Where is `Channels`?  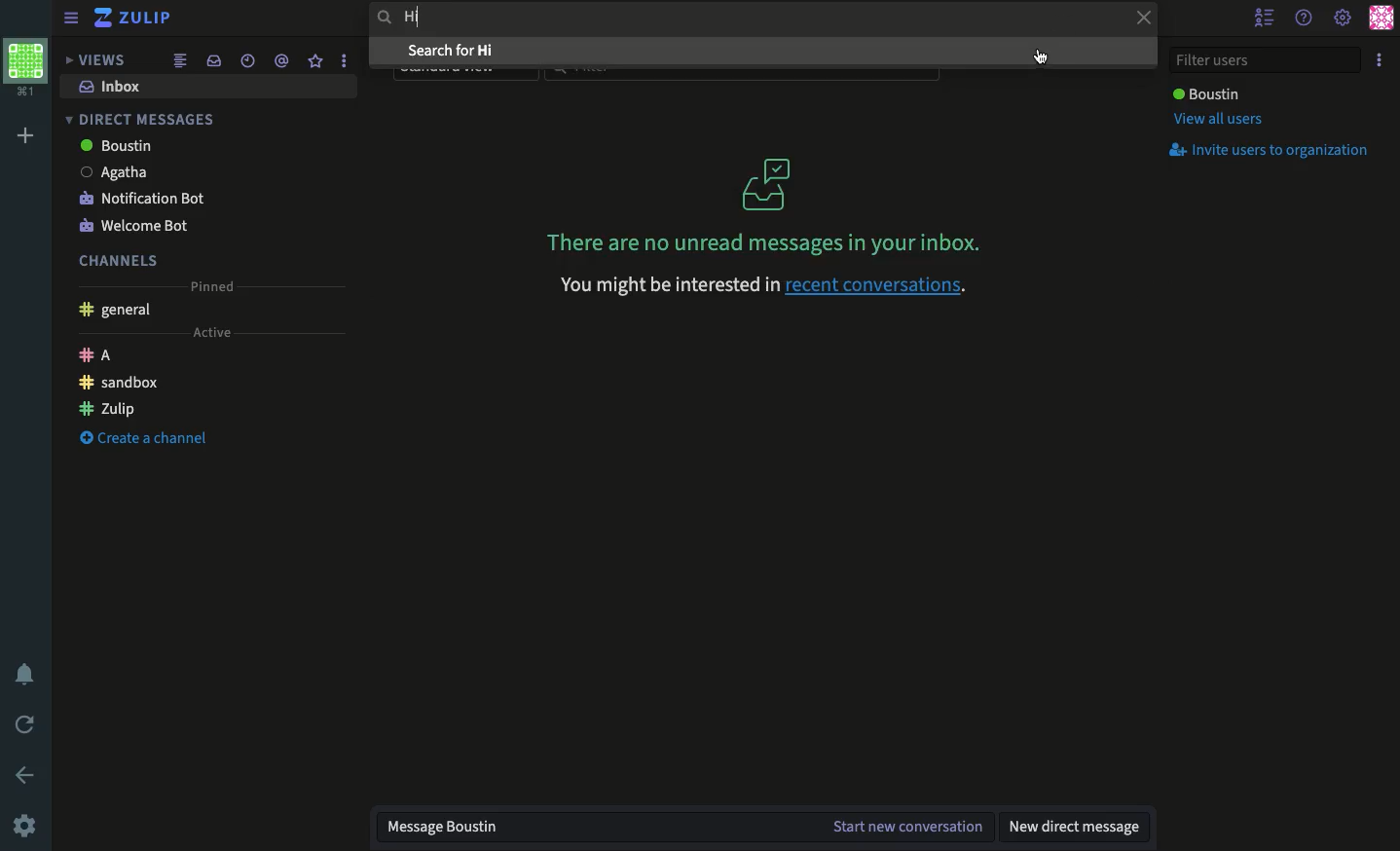 Channels is located at coordinates (119, 261).